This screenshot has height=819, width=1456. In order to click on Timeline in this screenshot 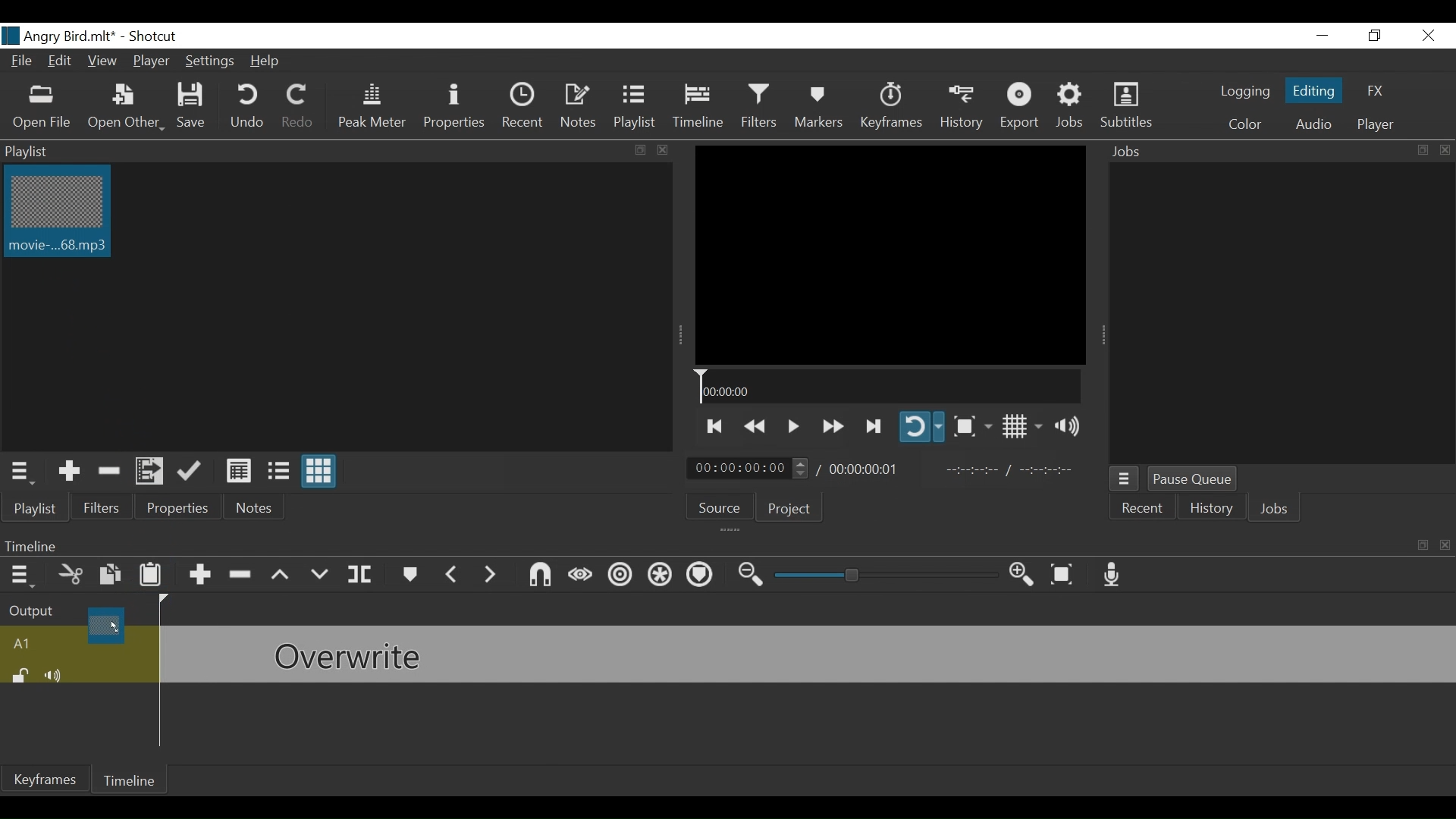, I will do `click(888, 387)`.